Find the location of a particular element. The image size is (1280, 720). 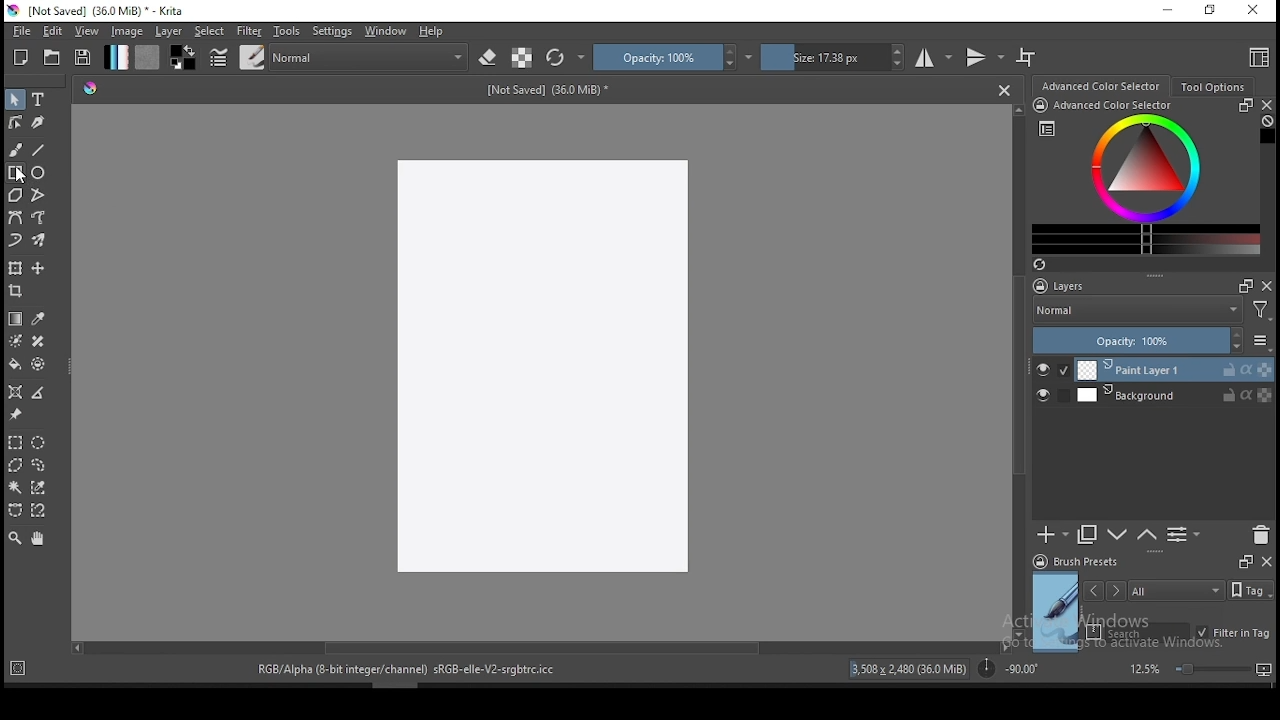

scroll bar is located at coordinates (1020, 370).